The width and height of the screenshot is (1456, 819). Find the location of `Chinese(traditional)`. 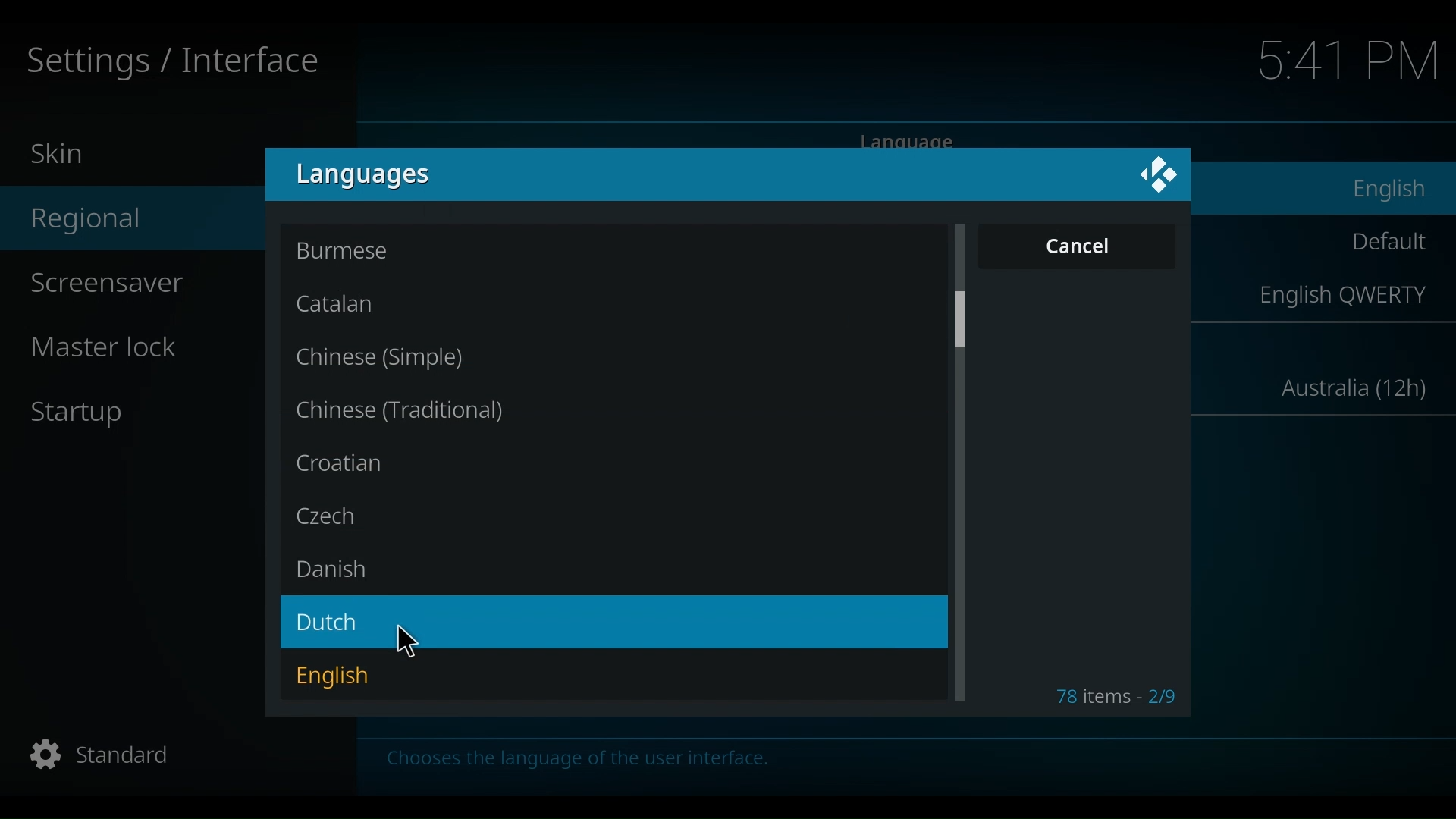

Chinese(traditional) is located at coordinates (408, 413).